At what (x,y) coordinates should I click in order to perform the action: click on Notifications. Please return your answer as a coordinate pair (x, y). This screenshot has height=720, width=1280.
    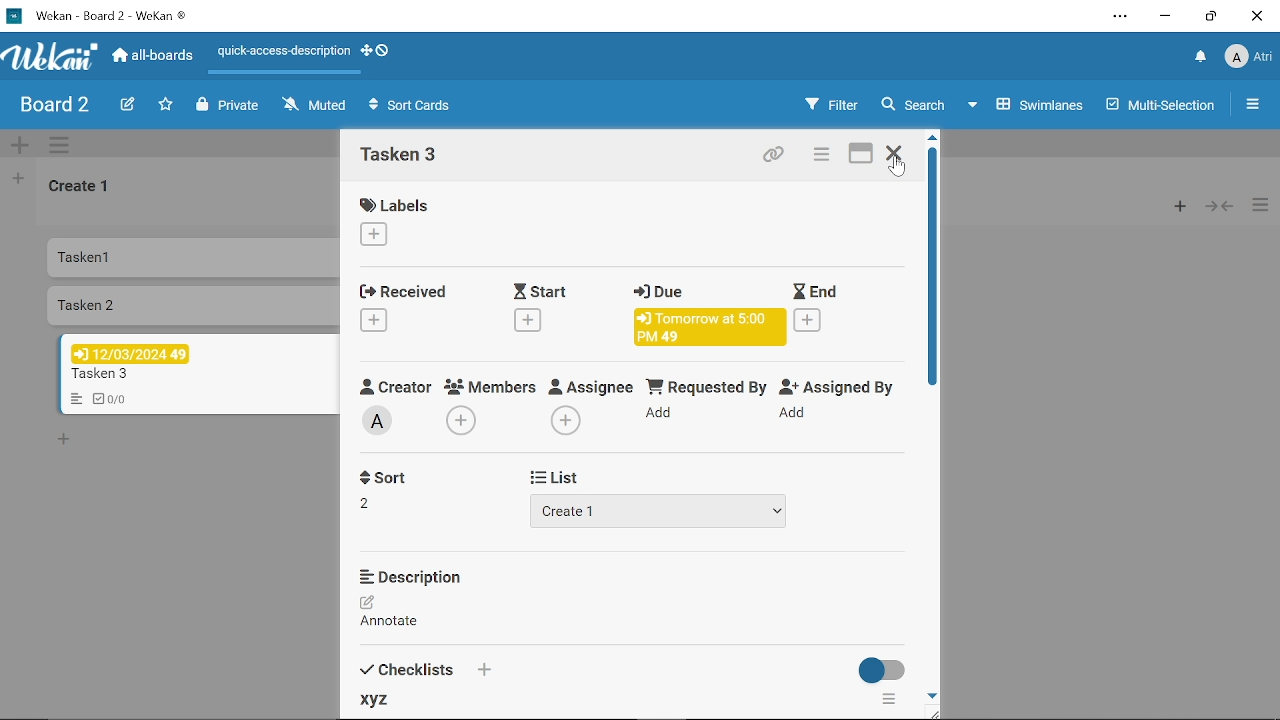
    Looking at the image, I should click on (1202, 54).